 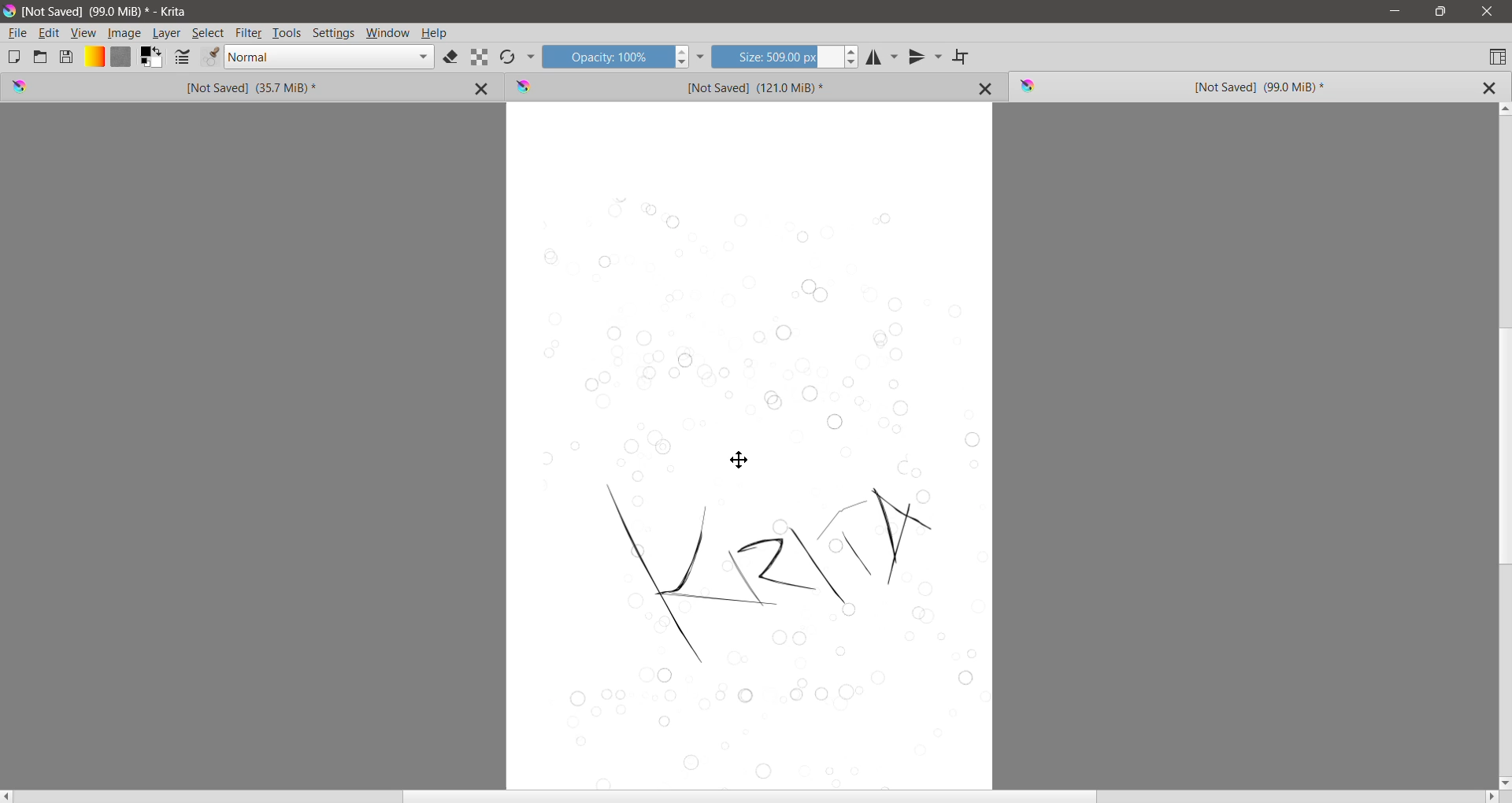 What do you see at coordinates (606, 56) in the screenshot?
I see `Opacity input` at bounding box center [606, 56].